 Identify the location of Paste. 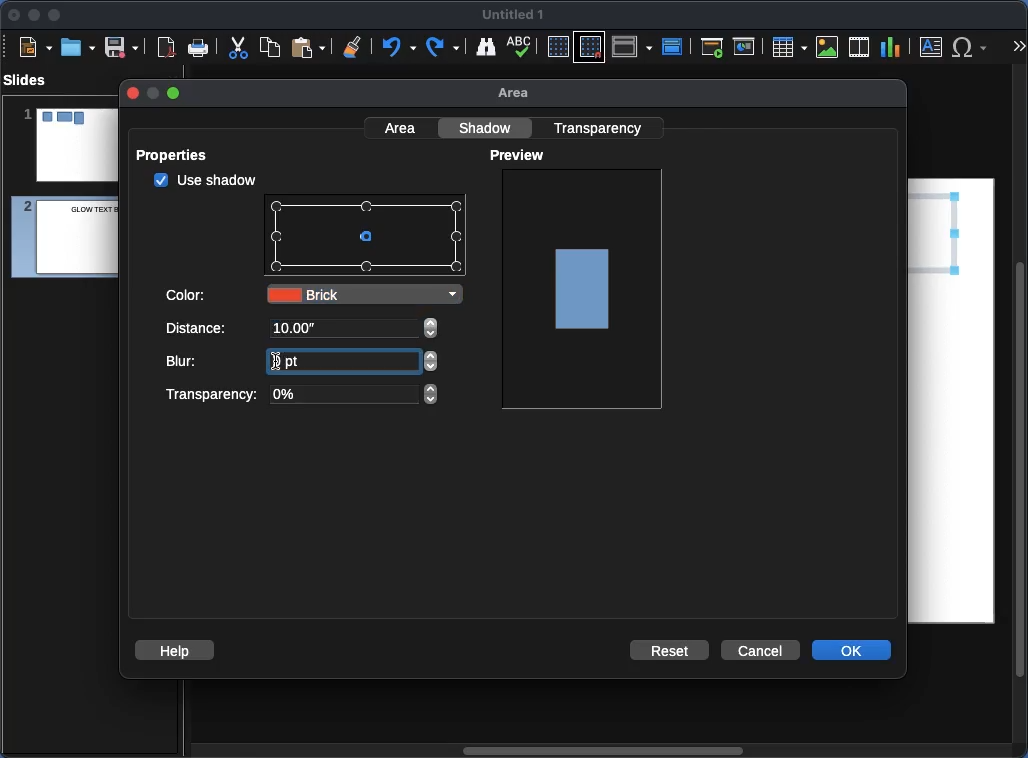
(308, 46).